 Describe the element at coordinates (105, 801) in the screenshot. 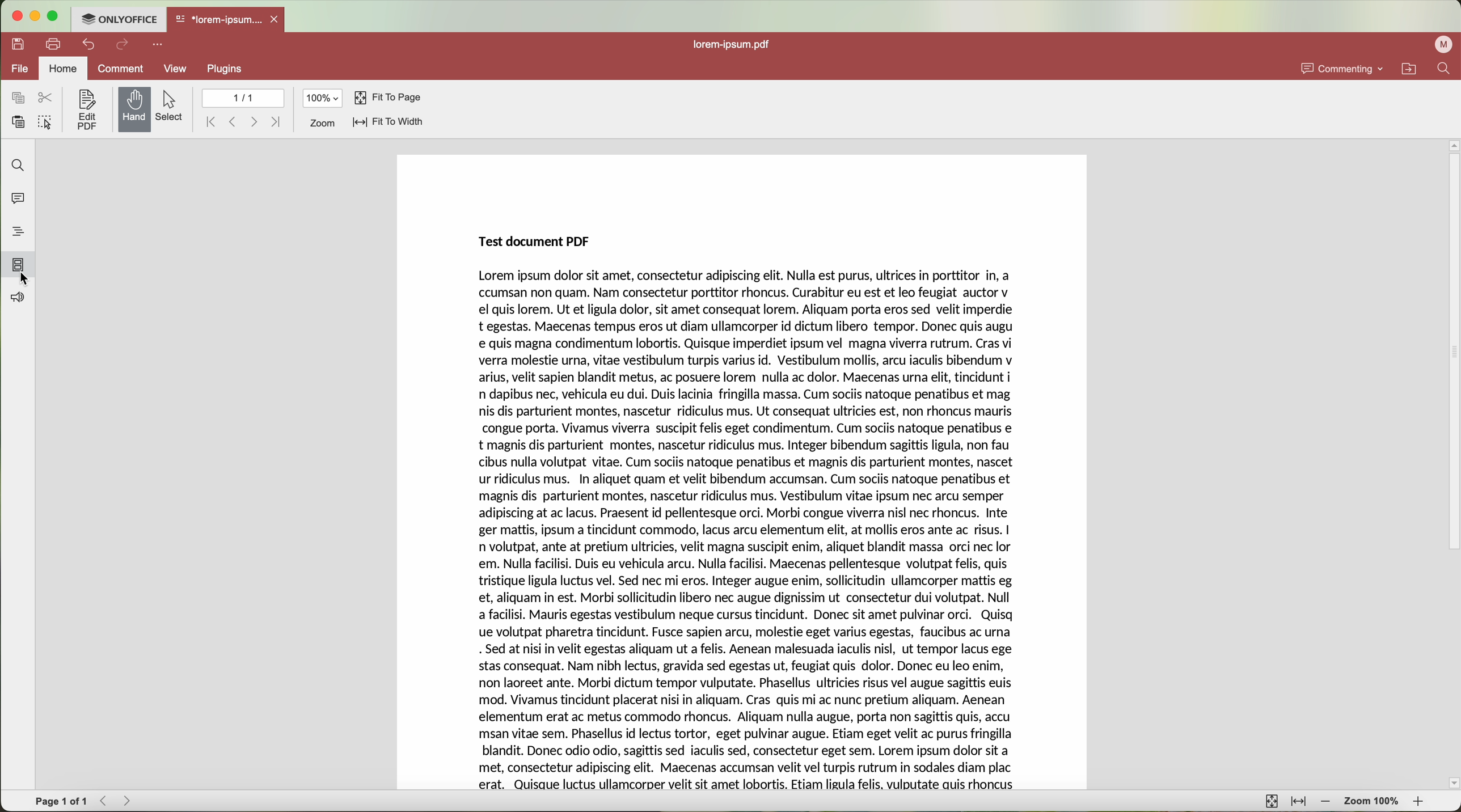

I see `Backward` at that location.